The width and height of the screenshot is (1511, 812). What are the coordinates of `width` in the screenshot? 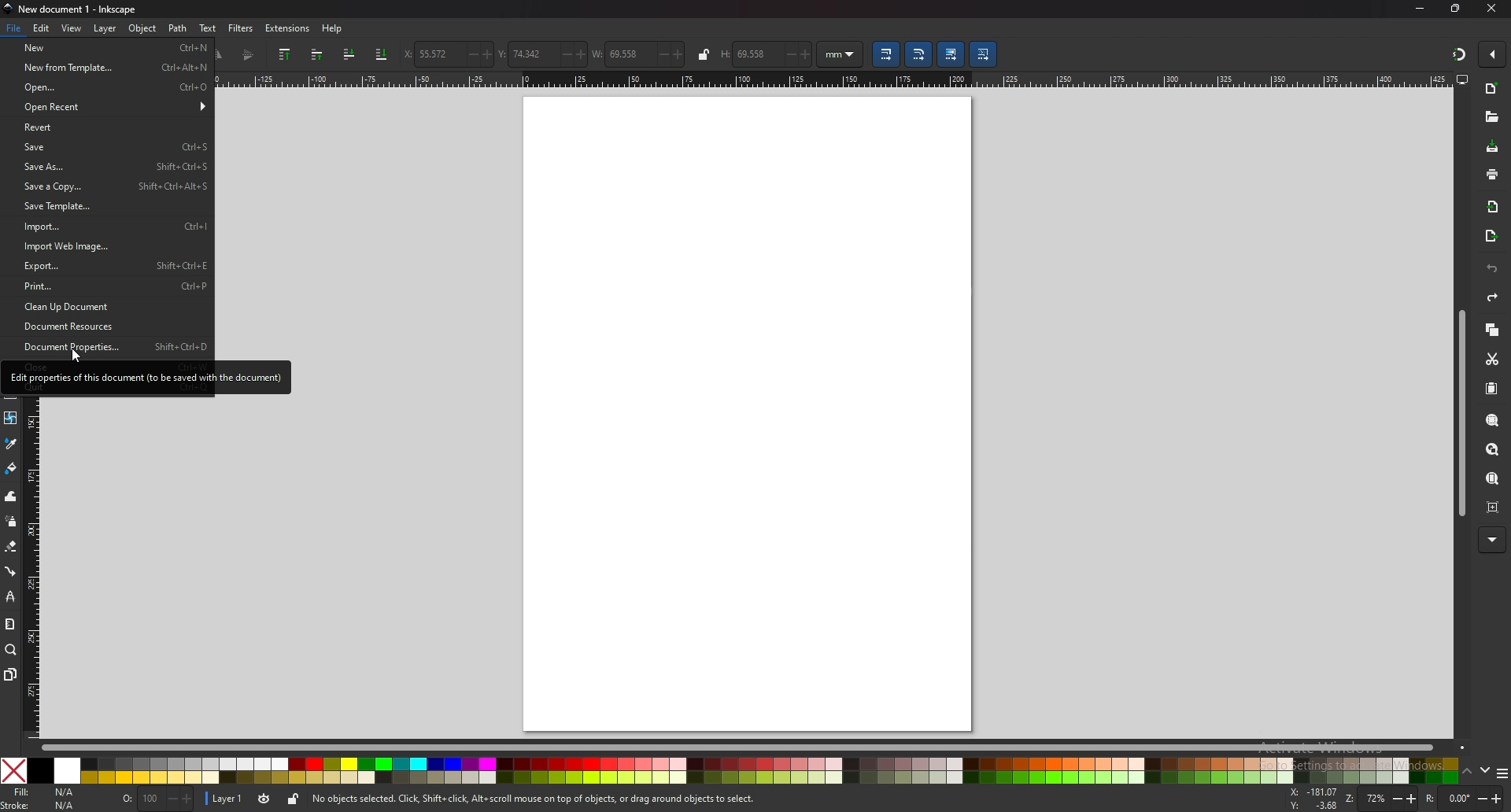 It's located at (618, 55).